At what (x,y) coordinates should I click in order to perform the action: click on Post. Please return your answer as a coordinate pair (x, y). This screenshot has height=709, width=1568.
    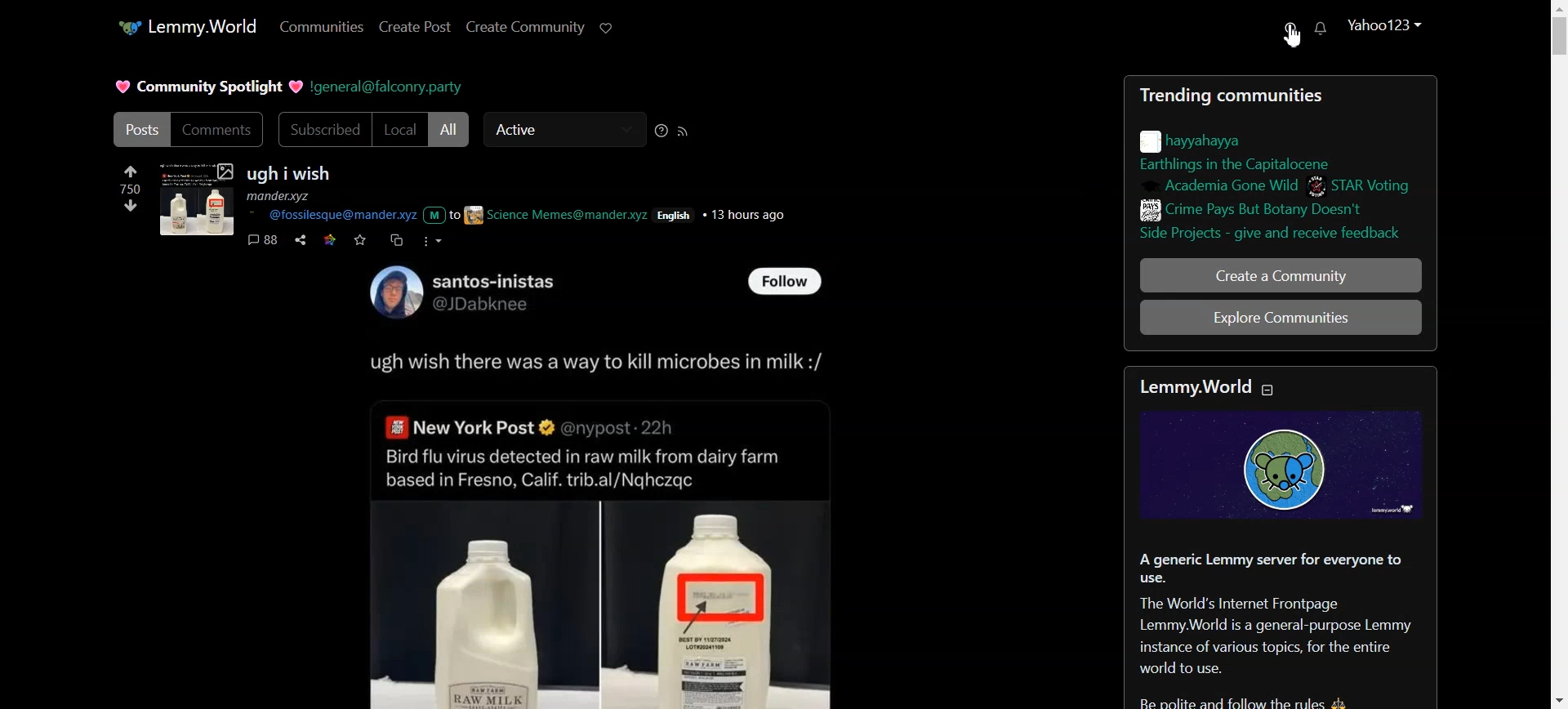
    Looking at the image, I should click on (140, 129).